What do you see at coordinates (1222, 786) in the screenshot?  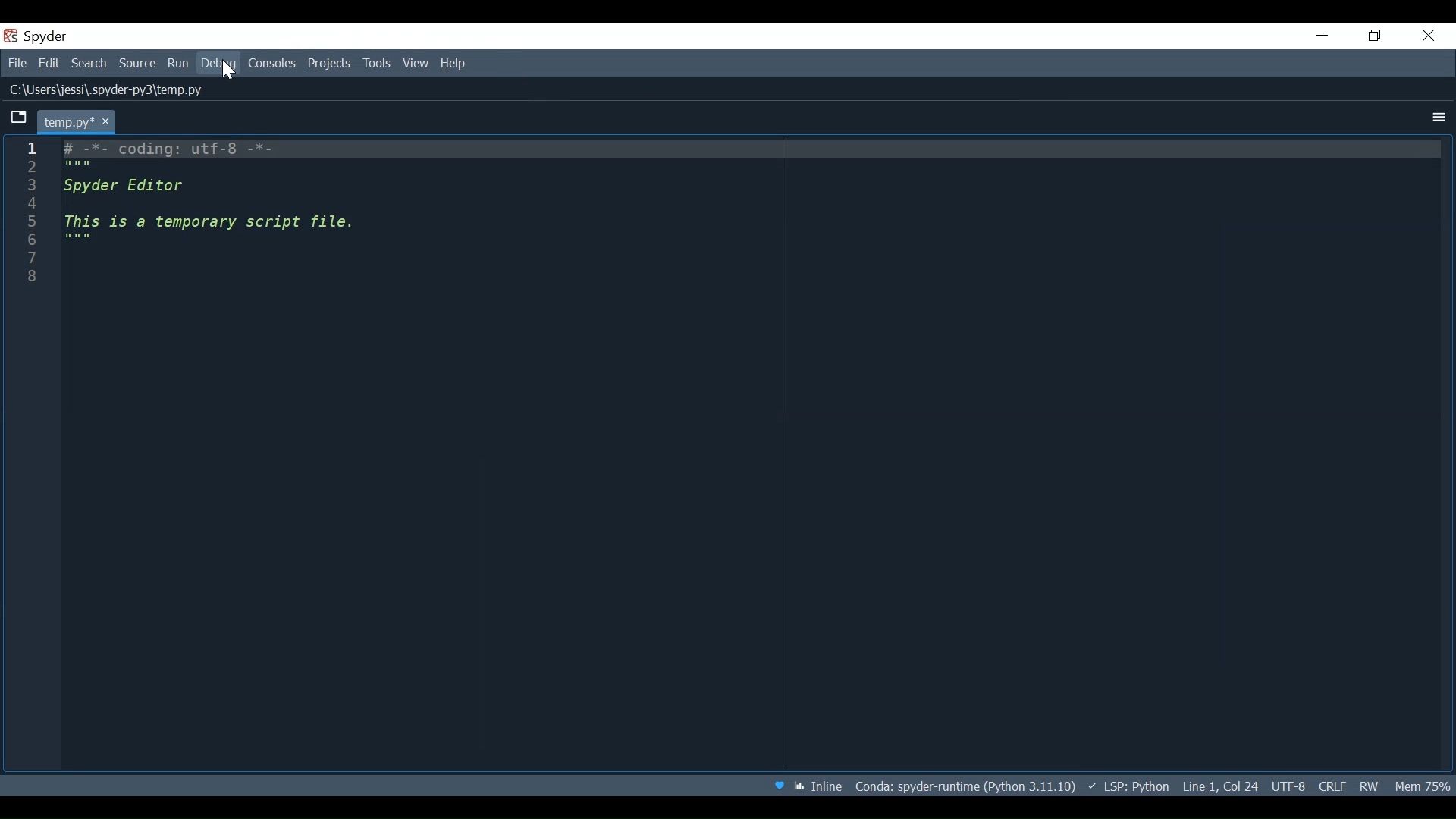 I see `Cursor position` at bounding box center [1222, 786].